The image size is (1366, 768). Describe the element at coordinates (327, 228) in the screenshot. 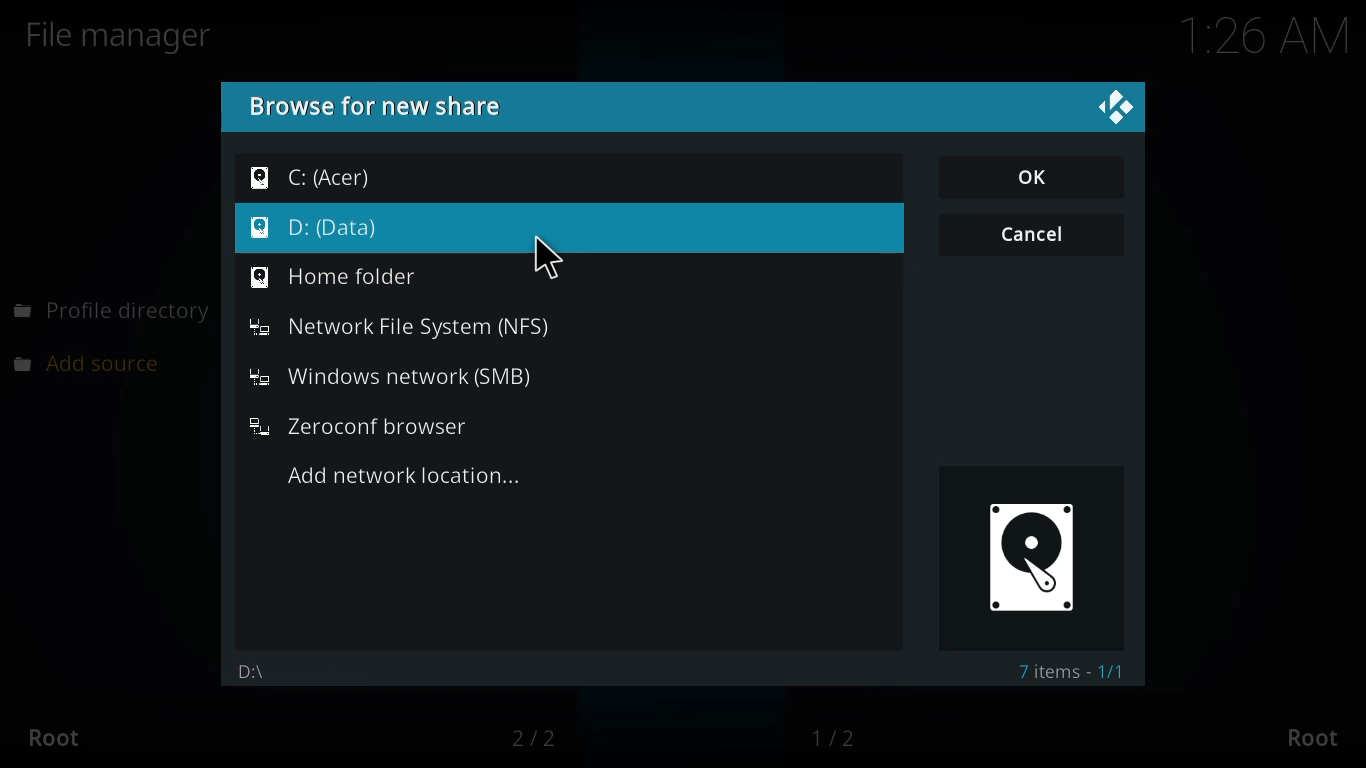

I see `d` at that location.